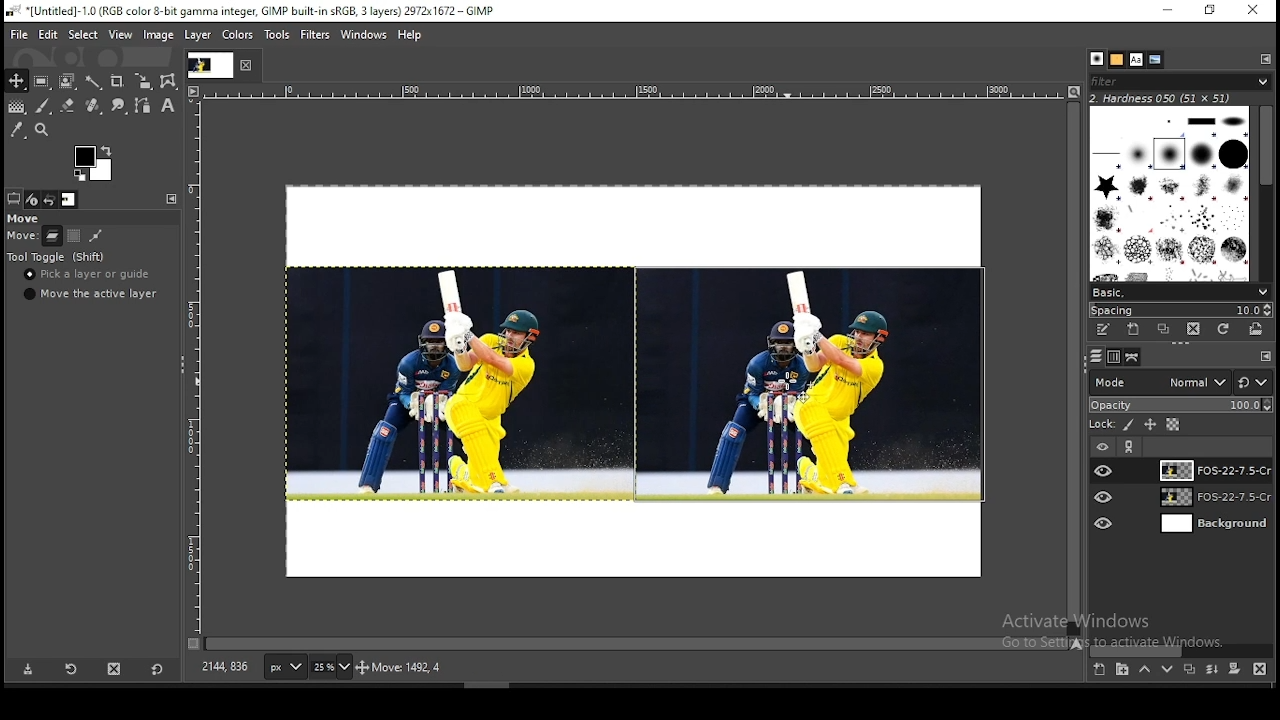  Describe the element at coordinates (119, 34) in the screenshot. I see `view` at that location.